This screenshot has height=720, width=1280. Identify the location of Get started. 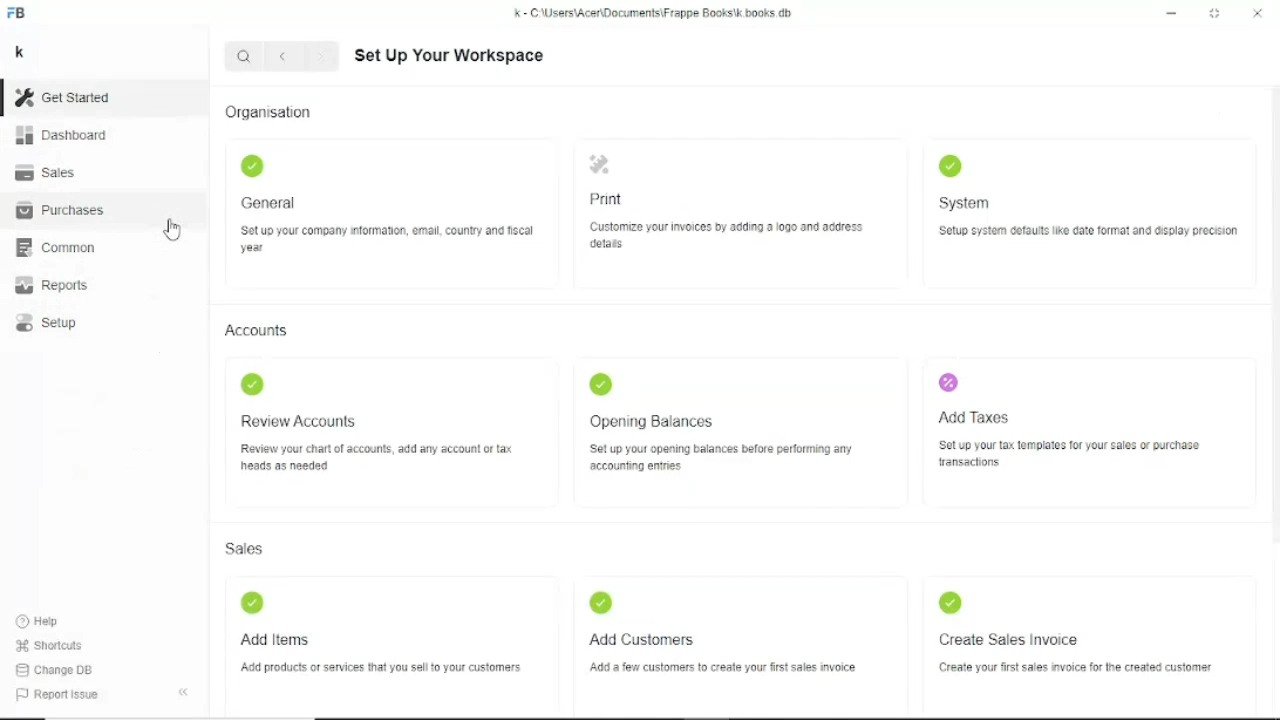
(63, 97).